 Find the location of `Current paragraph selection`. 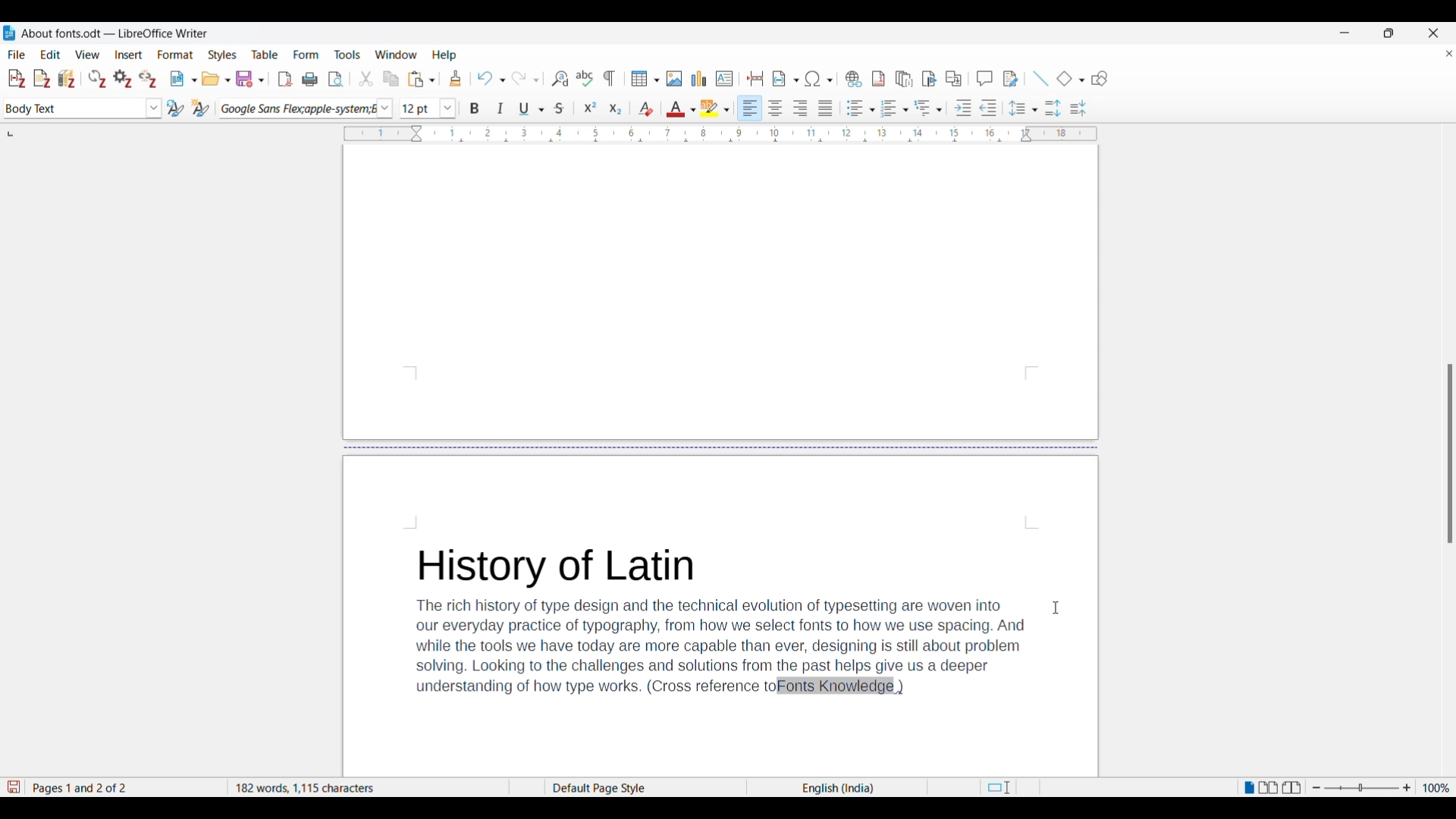

Current paragraph selection is located at coordinates (74, 109).